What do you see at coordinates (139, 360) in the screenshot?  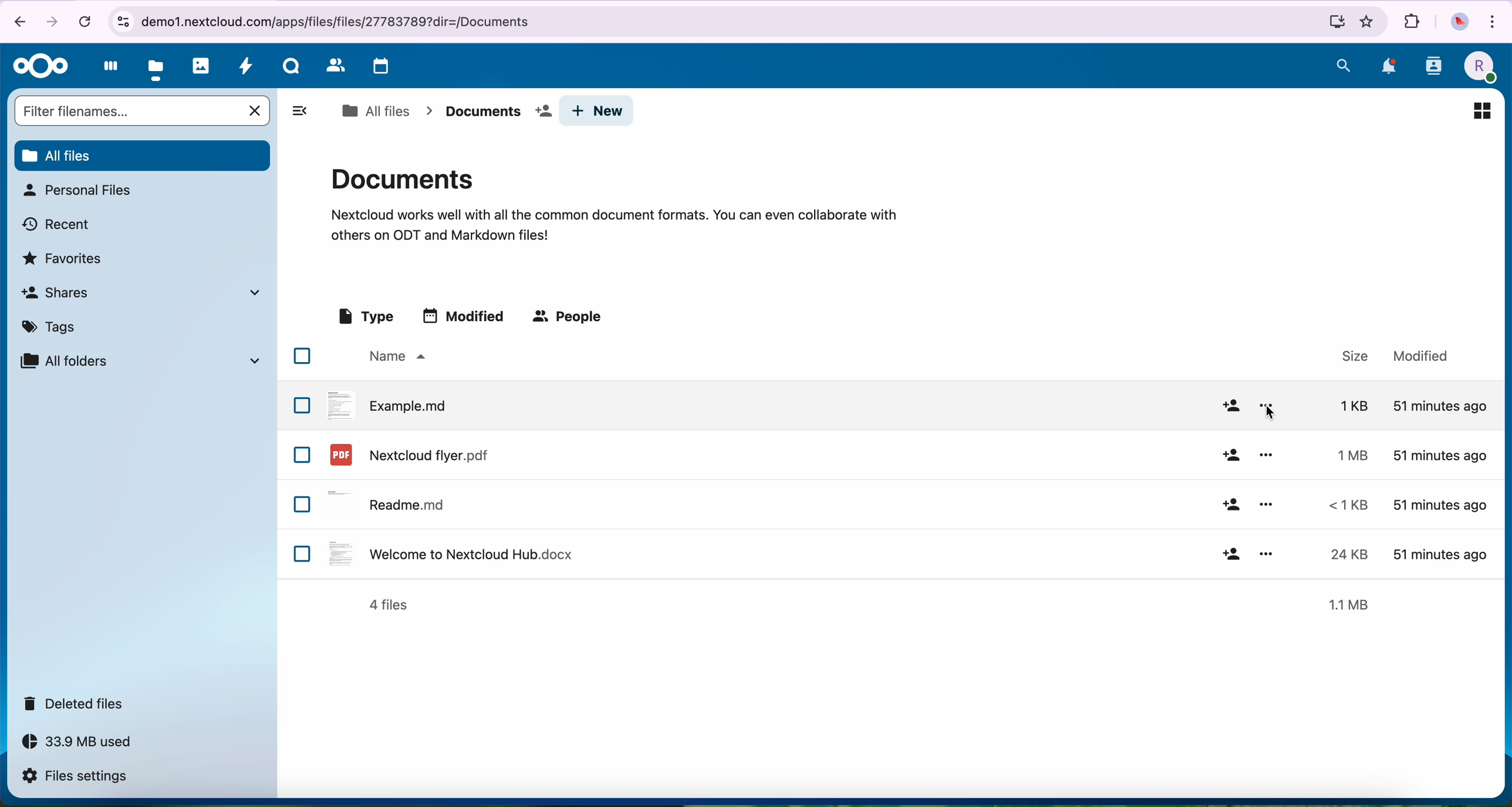 I see `all folders tab` at bounding box center [139, 360].